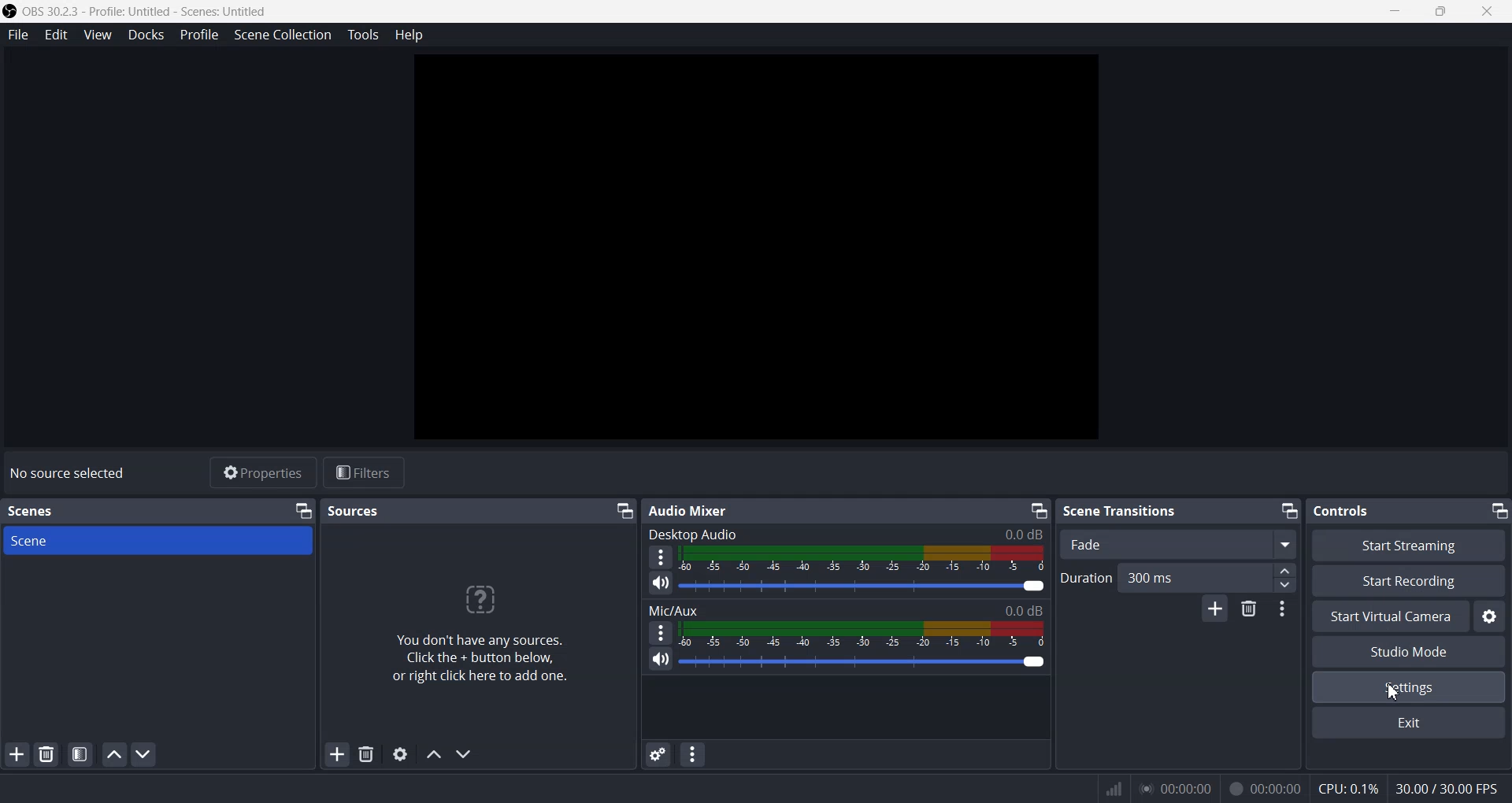  Describe the element at coordinates (756, 250) in the screenshot. I see `Preview Display` at that location.